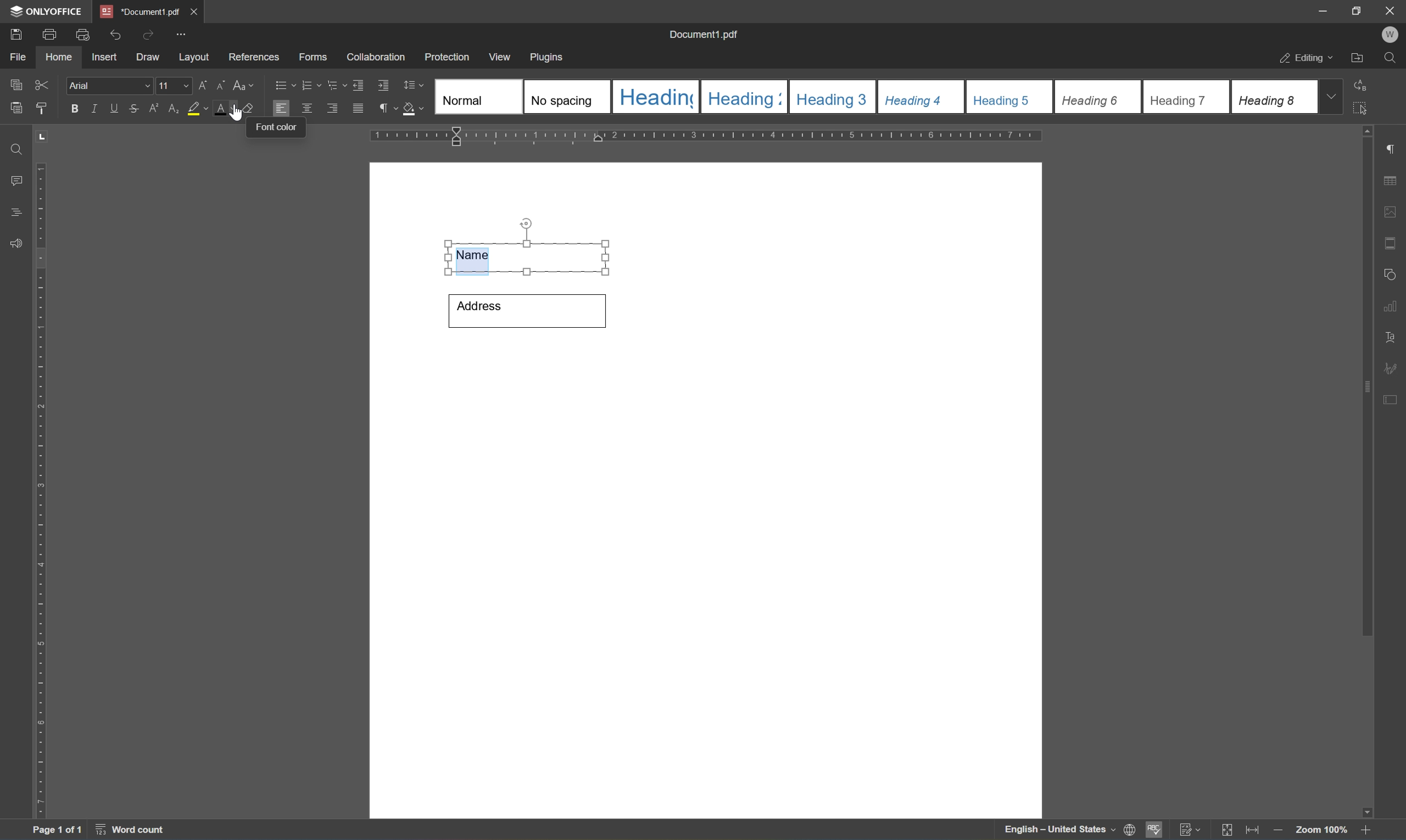 Image resolution: width=1406 pixels, height=840 pixels. I want to click on english-united states, so click(1061, 832).